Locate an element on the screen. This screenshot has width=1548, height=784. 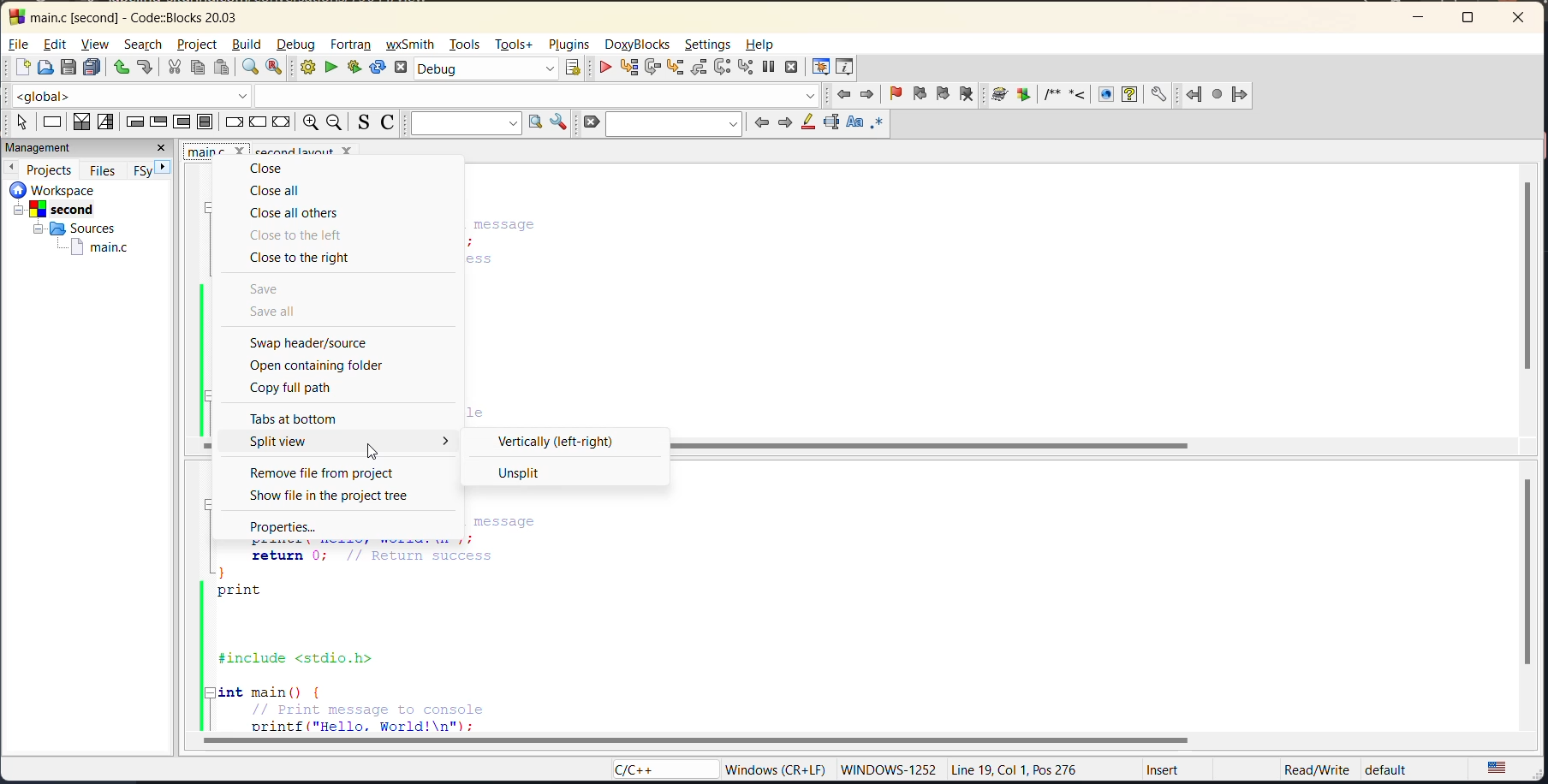
vertical scroll bar is located at coordinates (1529, 572).